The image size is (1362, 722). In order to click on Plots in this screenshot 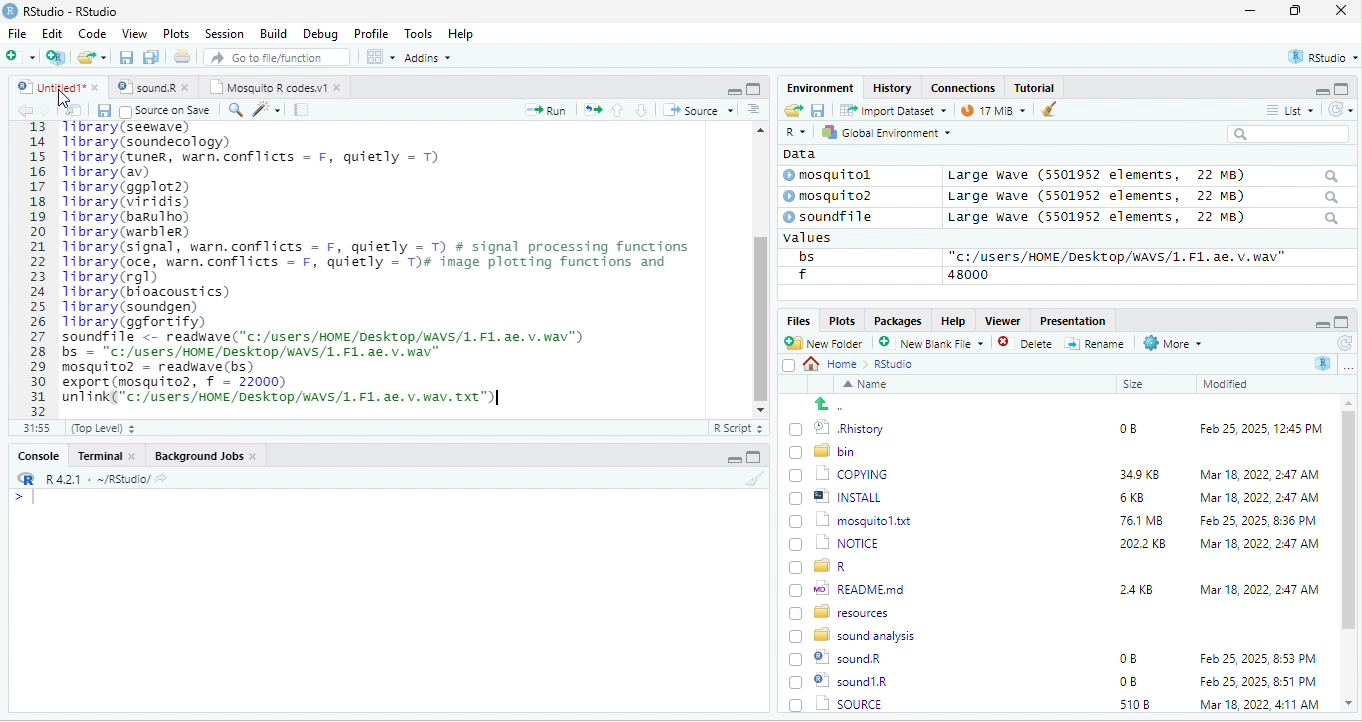, I will do `click(842, 320)`.